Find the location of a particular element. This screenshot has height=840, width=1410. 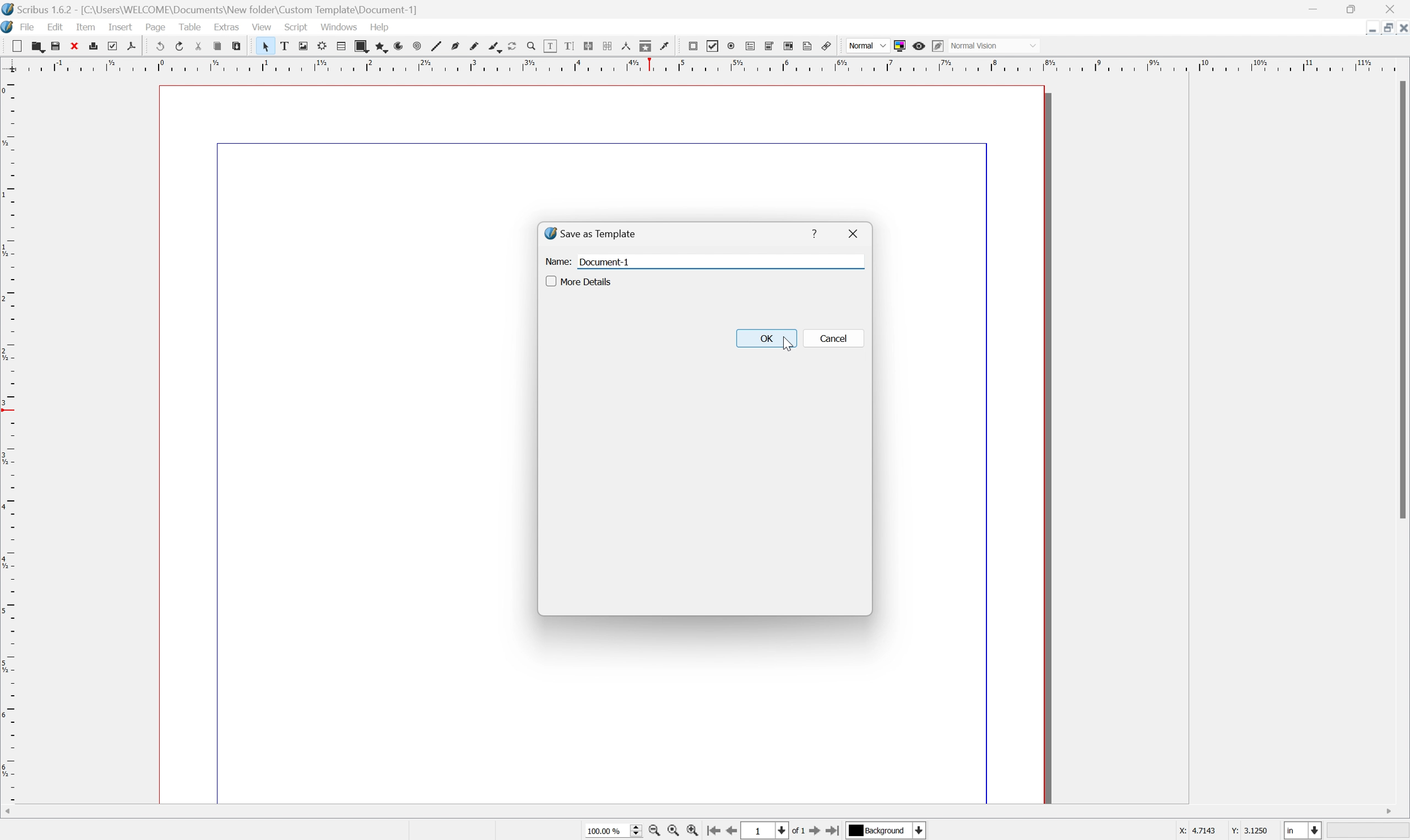

page is located at coordinates (156, 28).